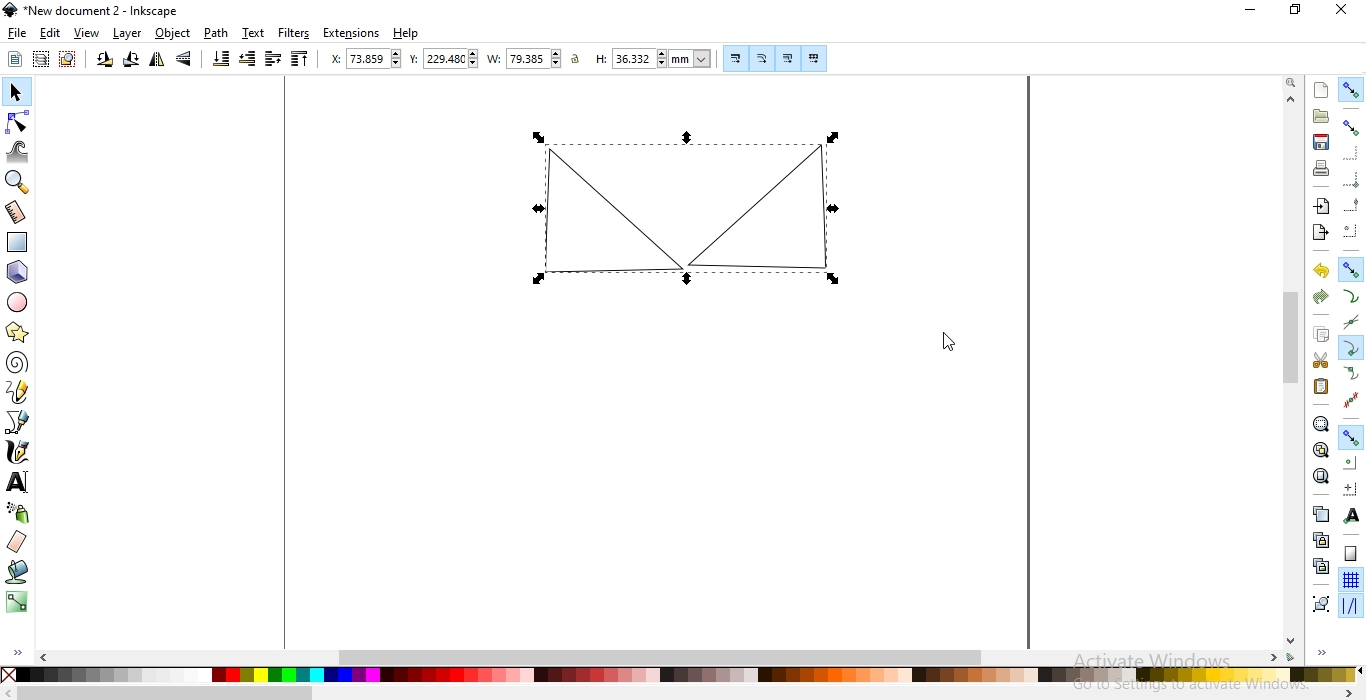  What do you see at coordinates (19, 152) in the screenshot?
I see `tweak objects by sculpting or painting` at bounding box center [19, 152].